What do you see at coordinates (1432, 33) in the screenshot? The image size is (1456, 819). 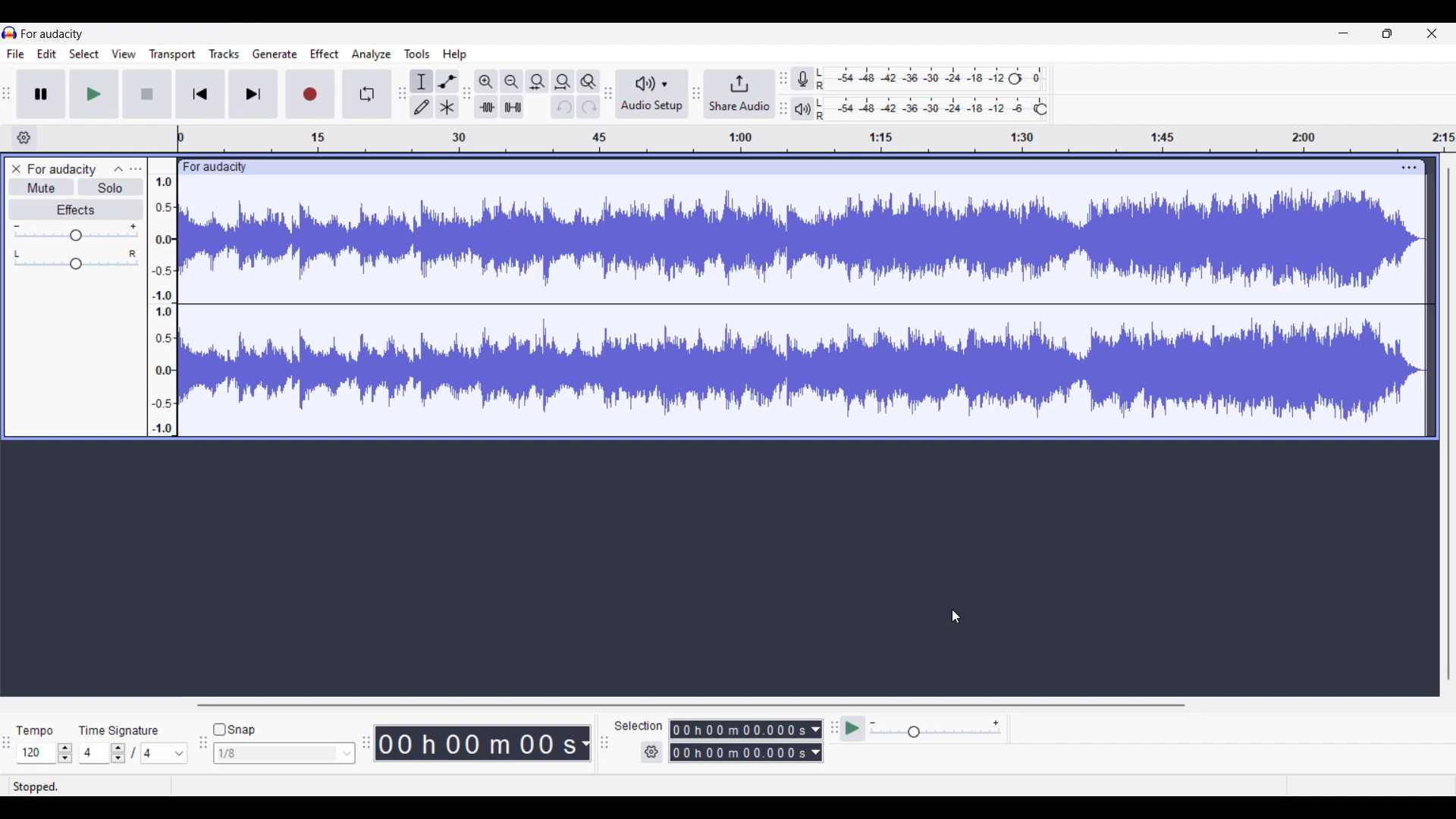 I see `Close interface` at bounding box center [1432, 33].